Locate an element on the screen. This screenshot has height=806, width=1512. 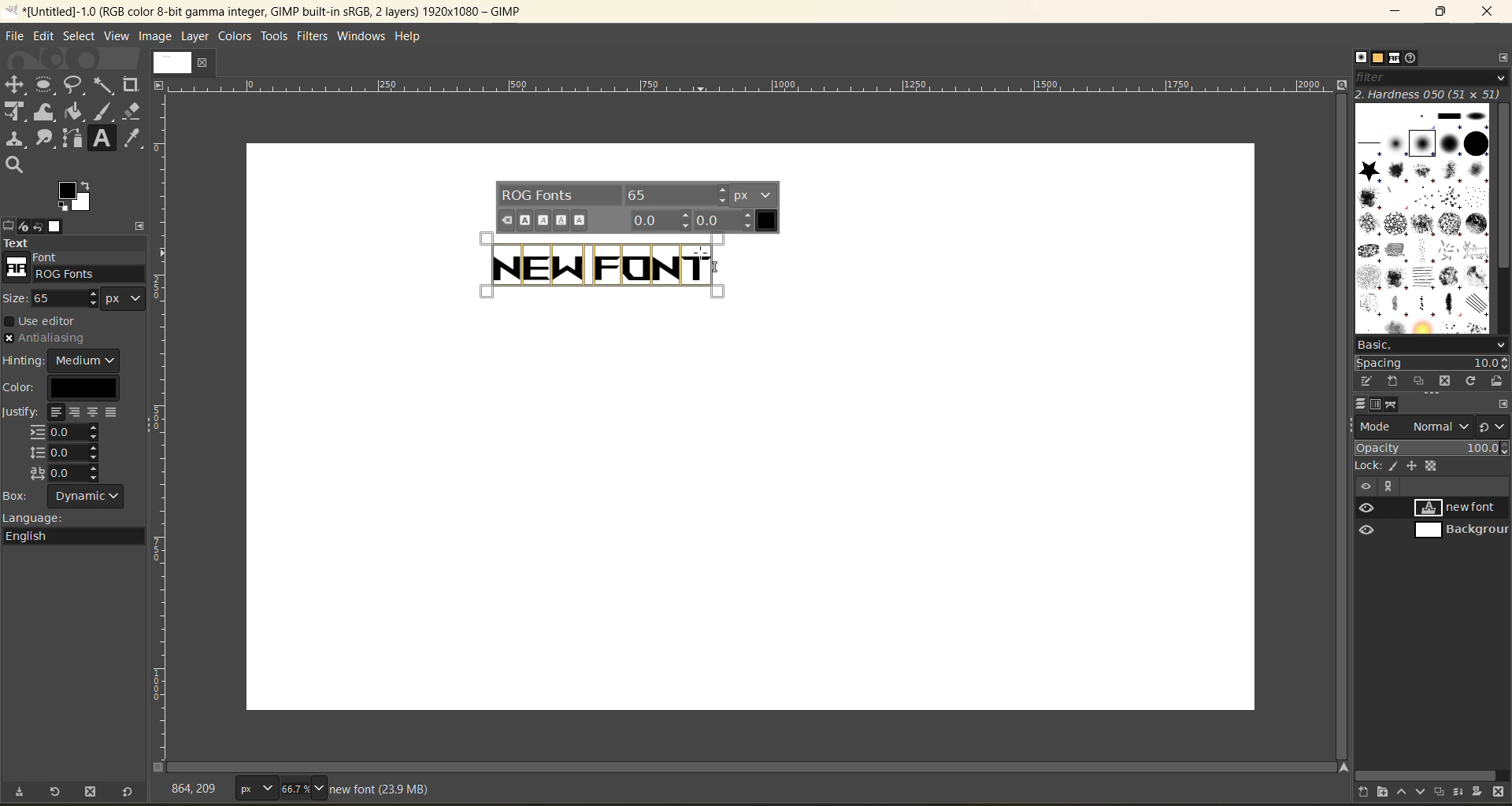
create a new layer group is located at coordinates (1388, 790).